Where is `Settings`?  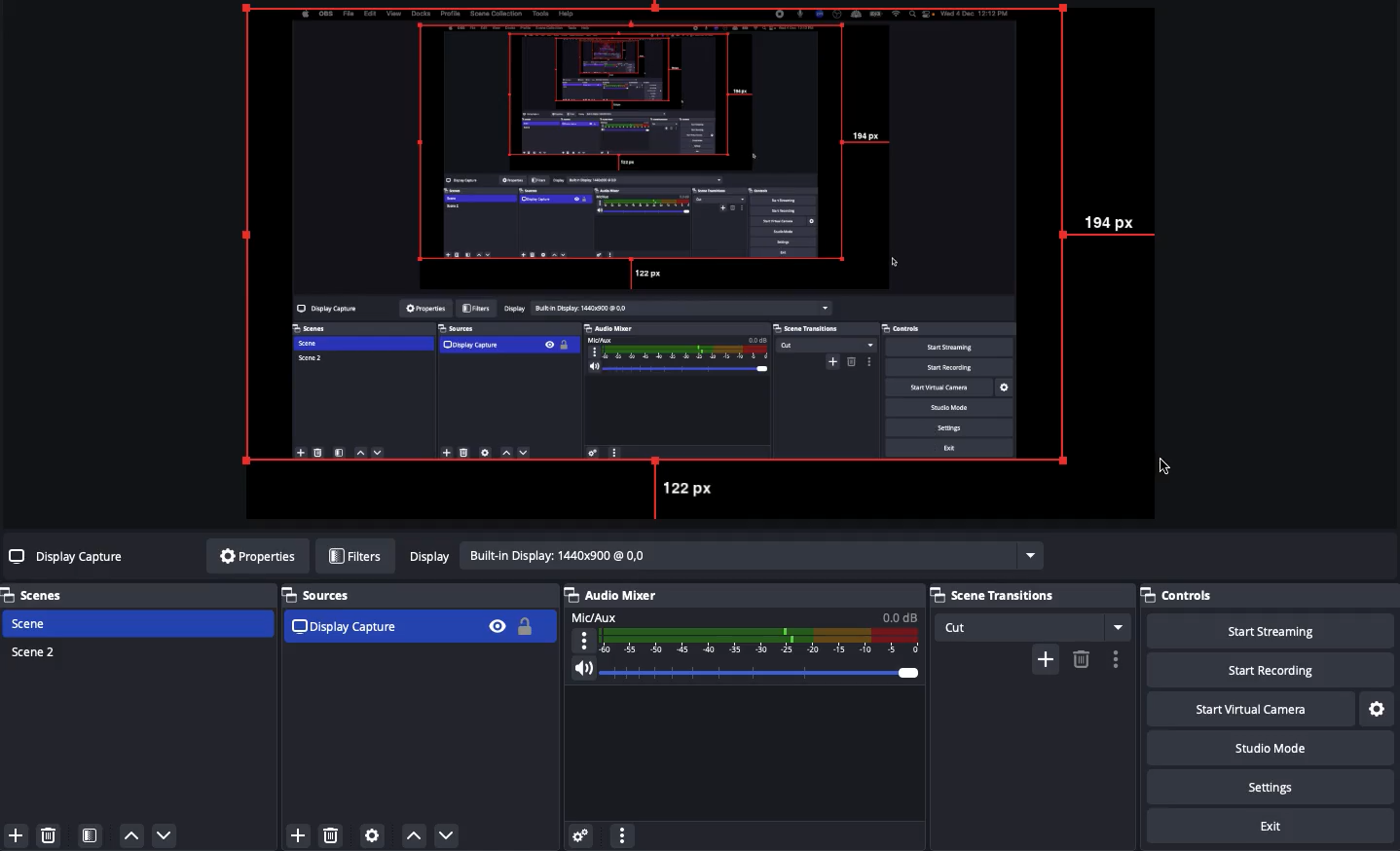
Settings is located at coordinates (1379, 707).